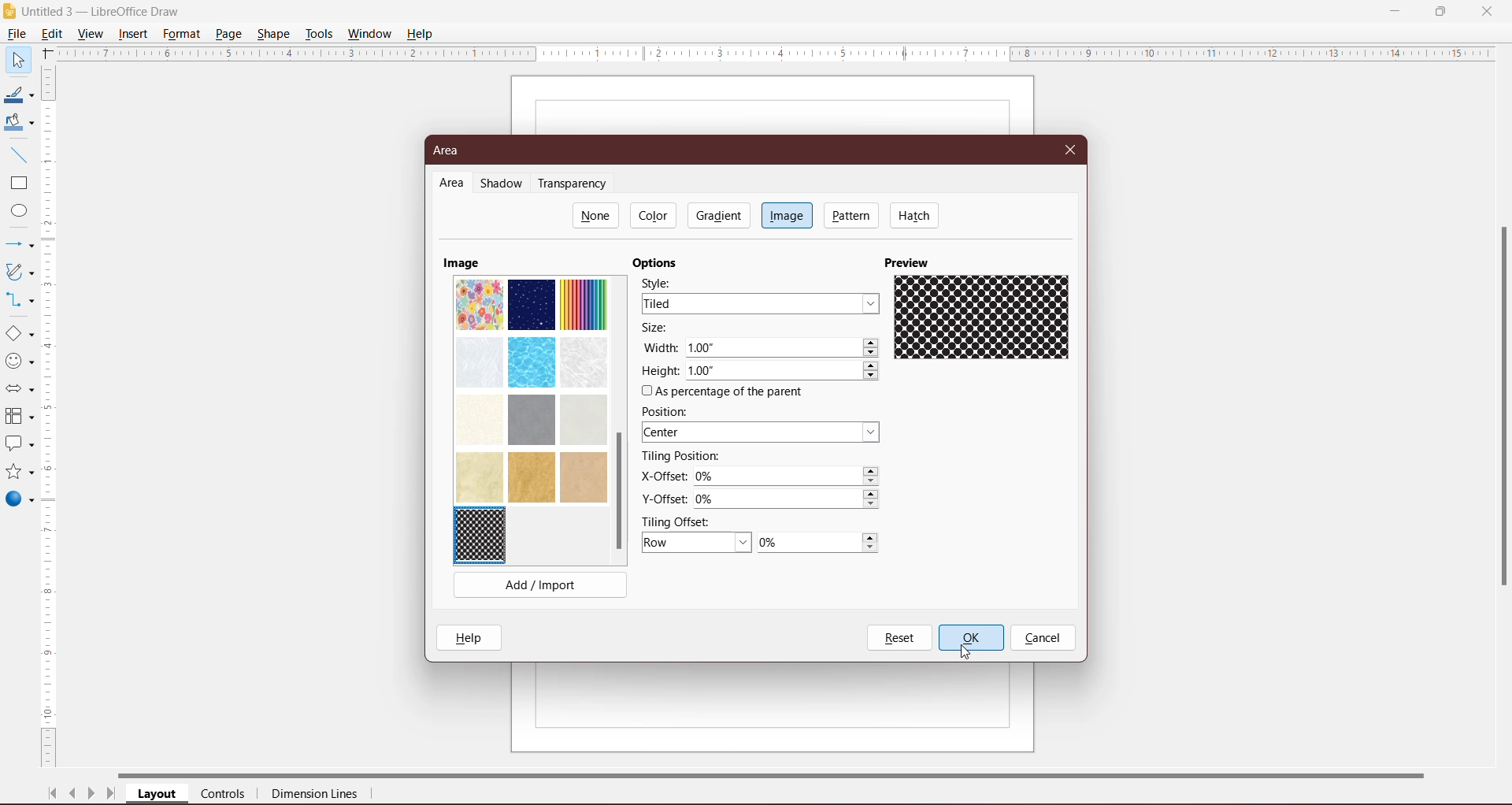  Describe the element at coordinates (18, 246) in the screenshot. I see `Lines and Arrows` at that location.